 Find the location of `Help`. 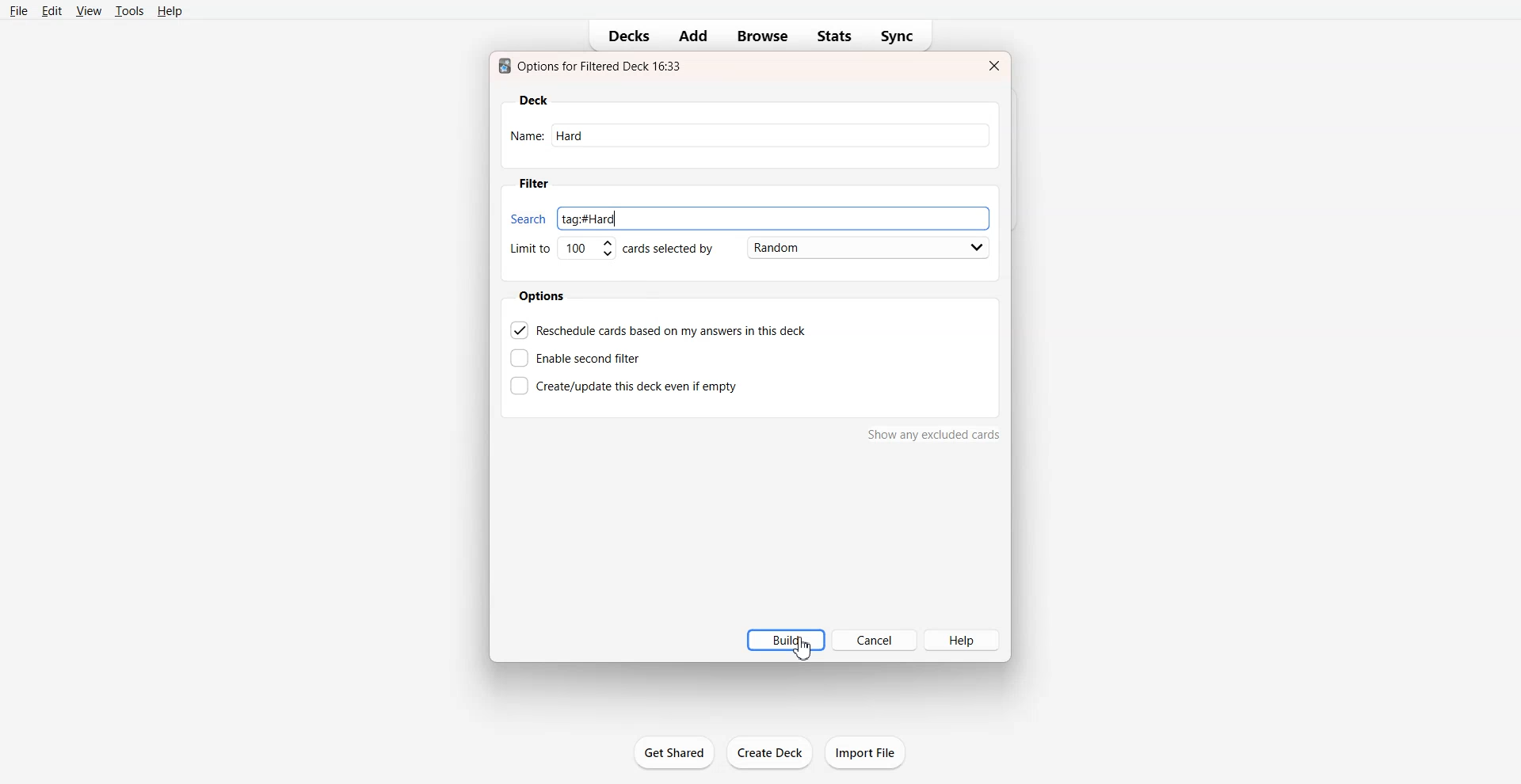

Help is located at coordinates (171, 11).